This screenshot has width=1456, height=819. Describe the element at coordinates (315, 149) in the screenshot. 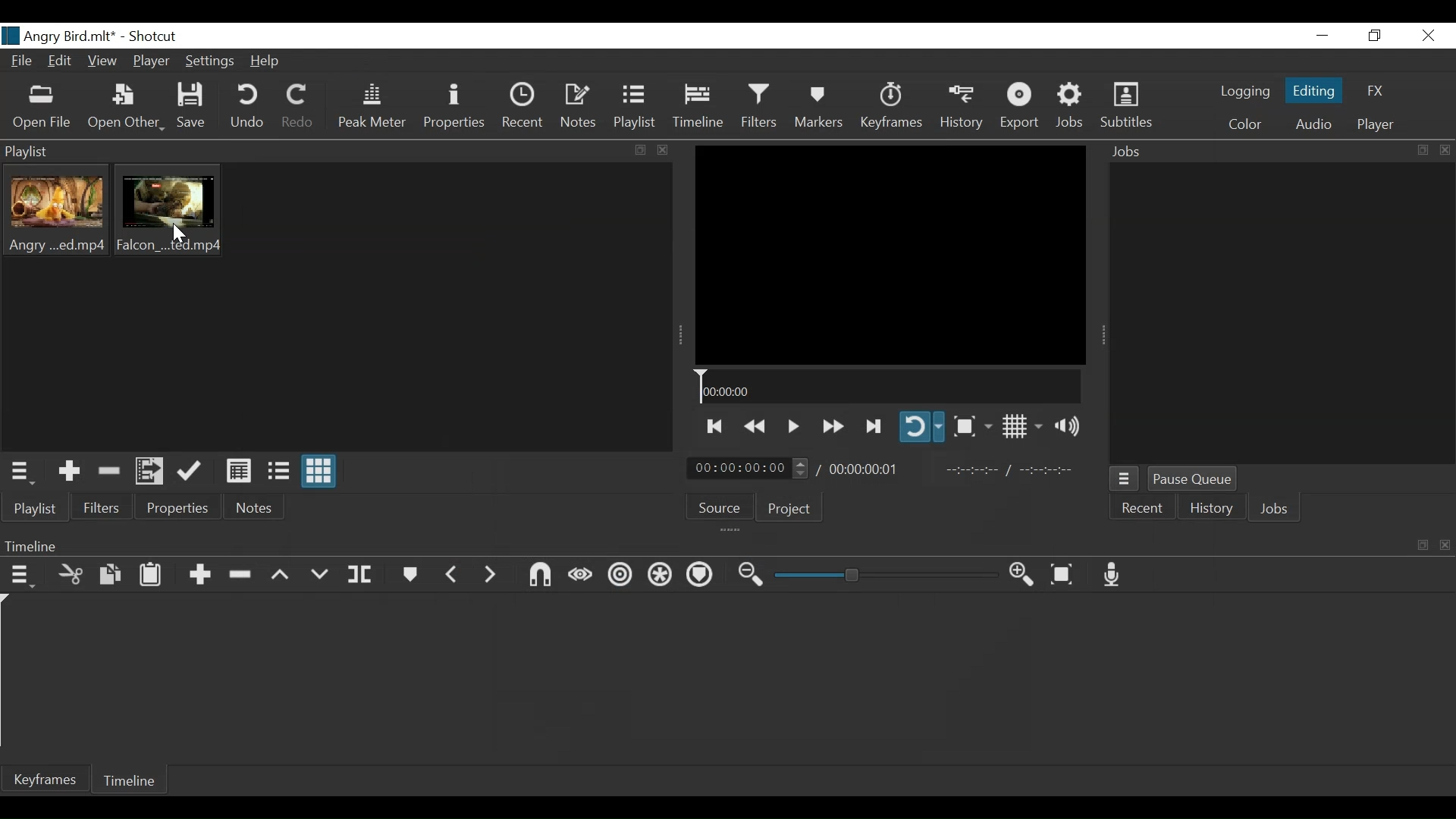

I see `Playlist Panel` at that location.